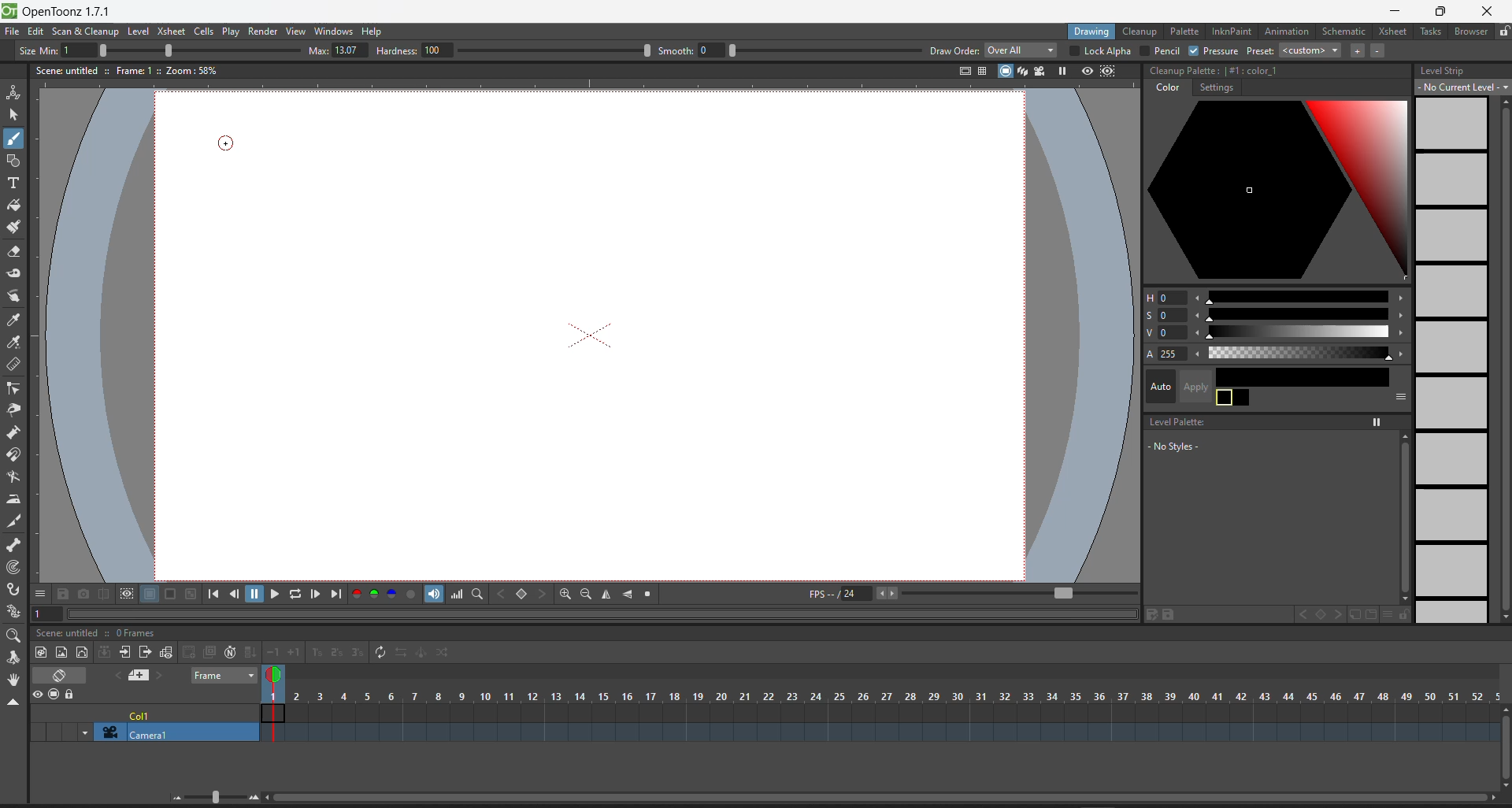 This screenshot has height=808, width=1512. I want to click on field guide, so click(981, 70).